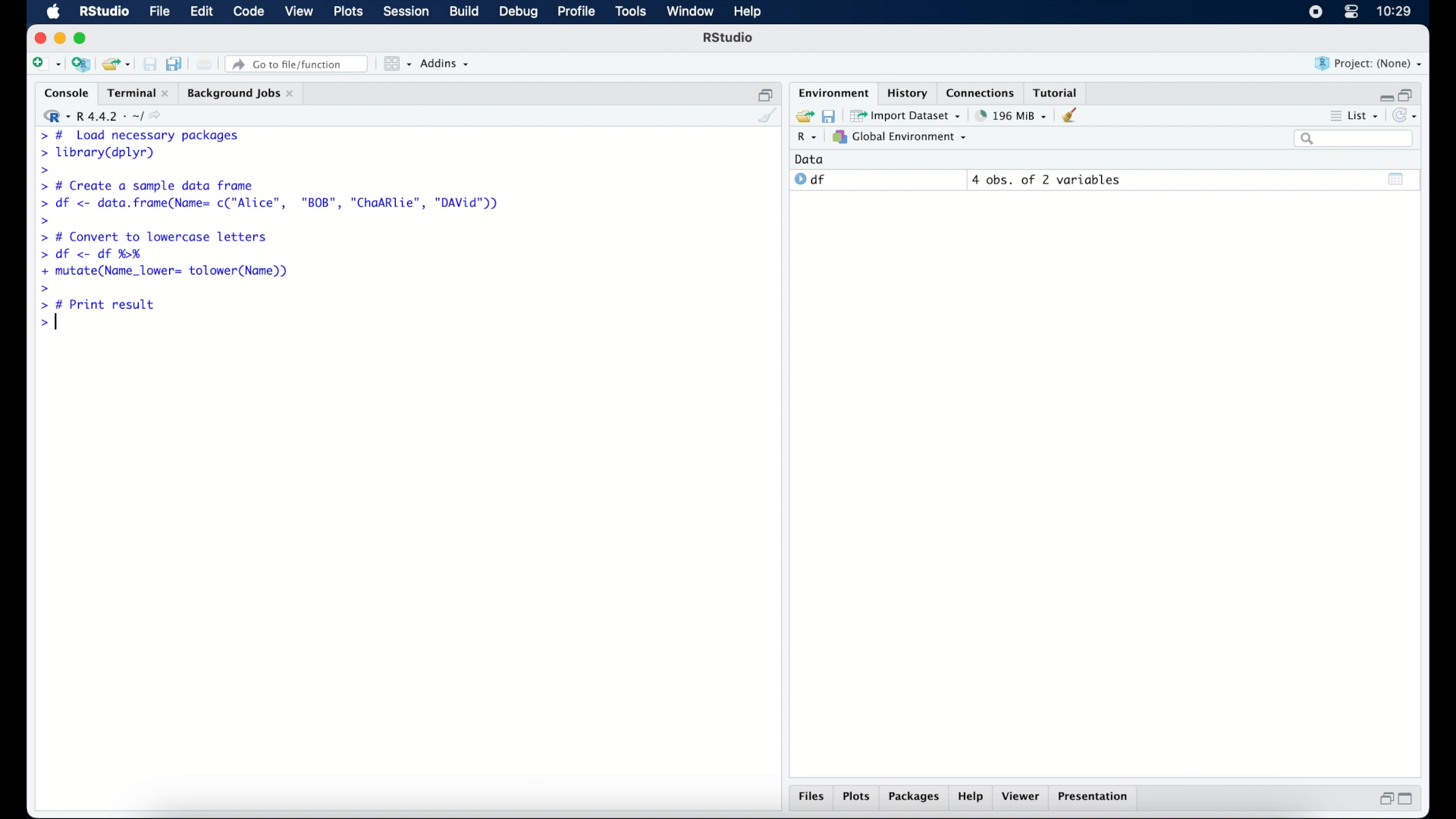 This screenshot has width=1456, height=819. Describe the element at coordinates (915, 799) in the screenshot. I see `packages` at that location.